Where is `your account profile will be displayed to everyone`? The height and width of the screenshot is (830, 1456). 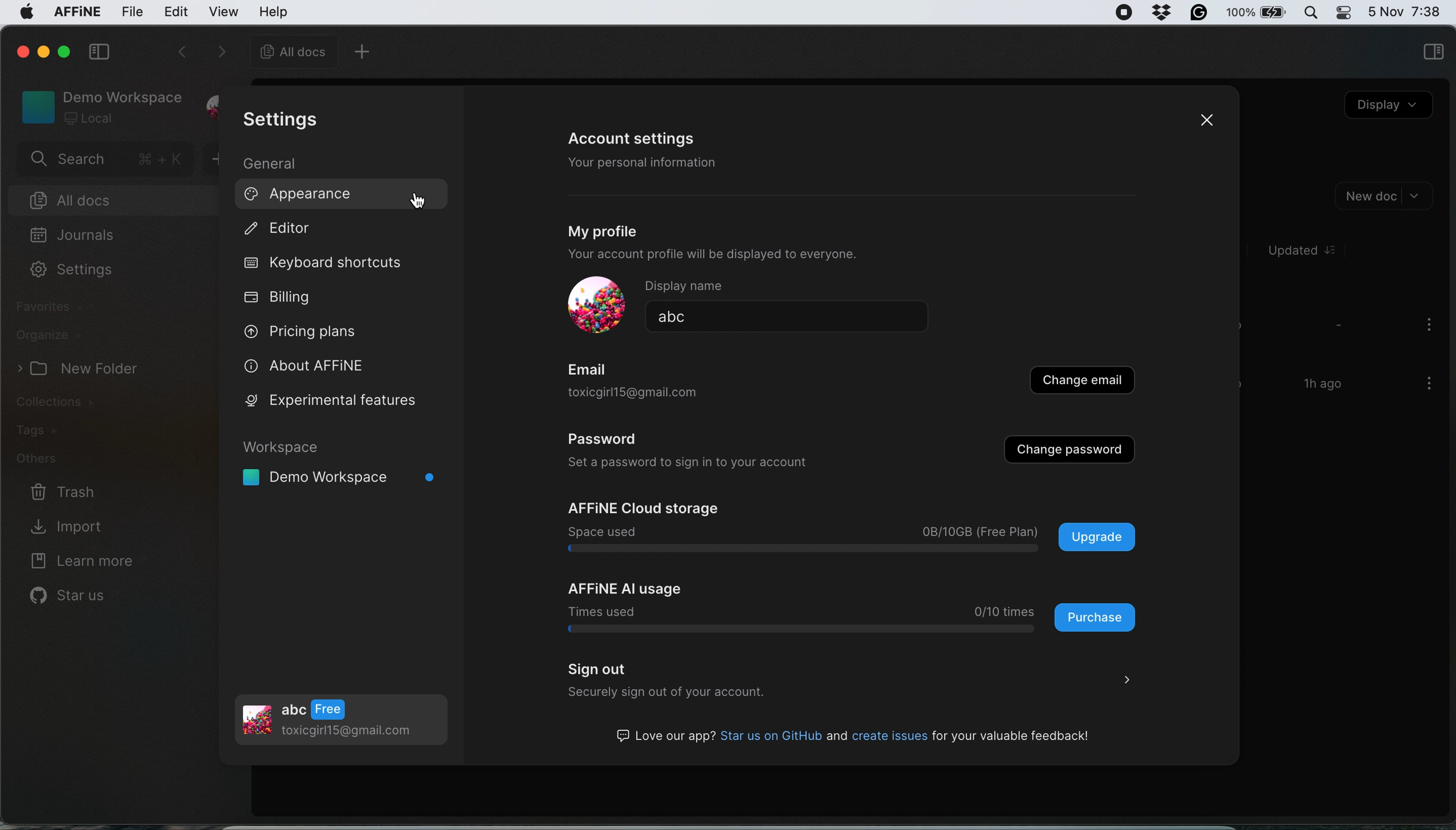 your account profile will be displayed to everyone is located at coordinates (727, 257).